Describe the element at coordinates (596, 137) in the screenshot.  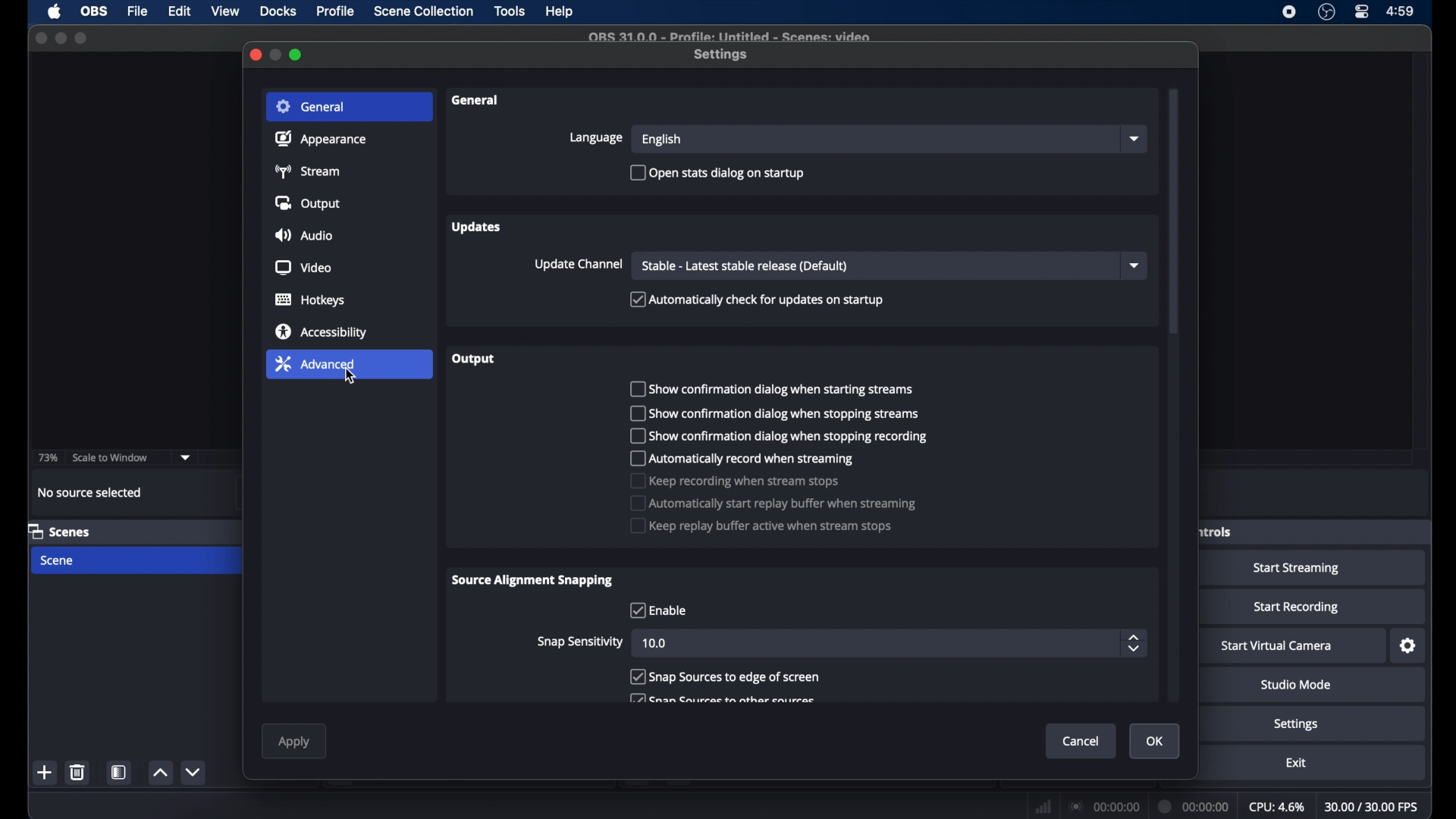
I see `language` at that location.